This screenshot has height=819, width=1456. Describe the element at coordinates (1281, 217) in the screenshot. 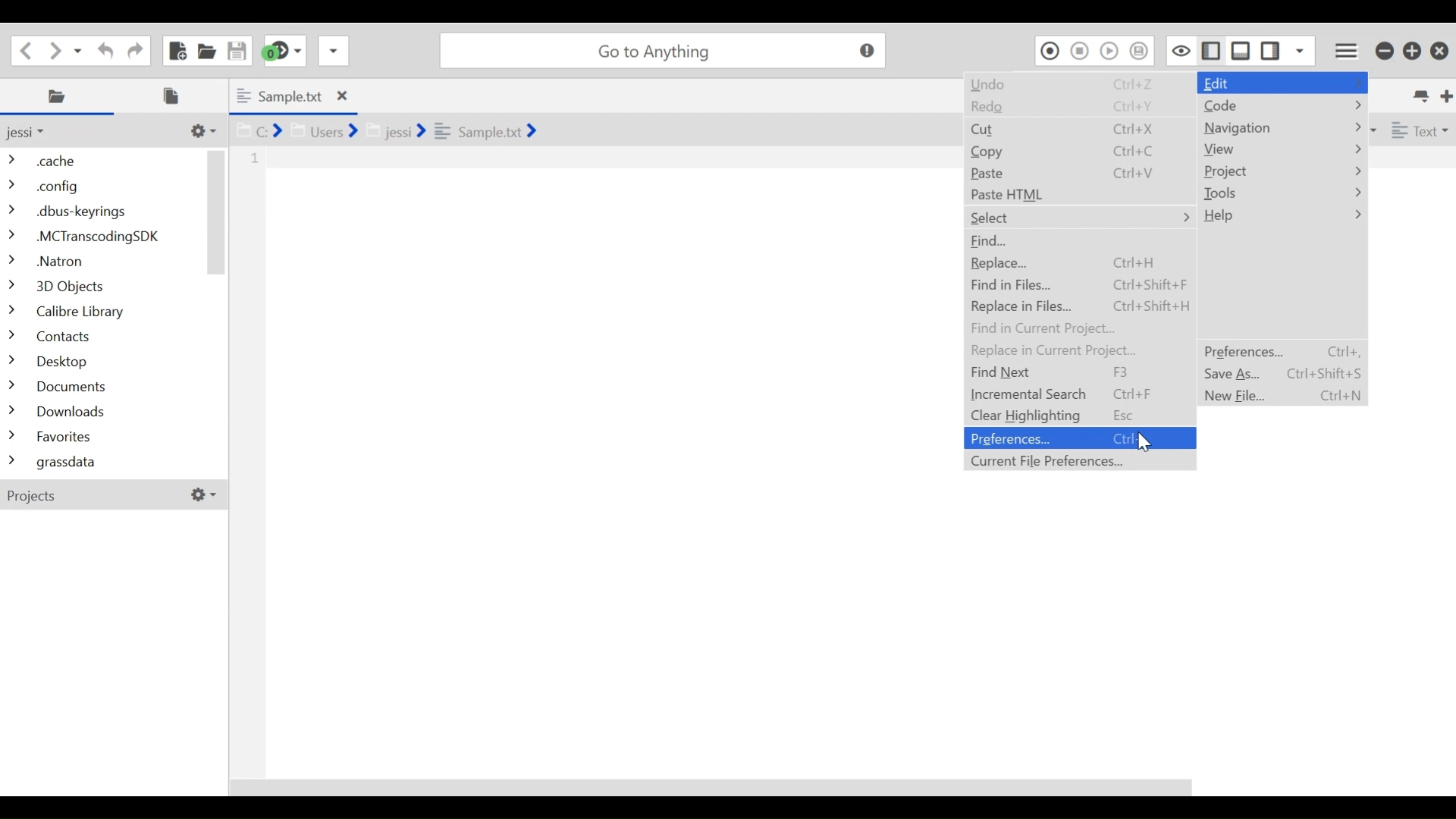

I see `Help` at that location.